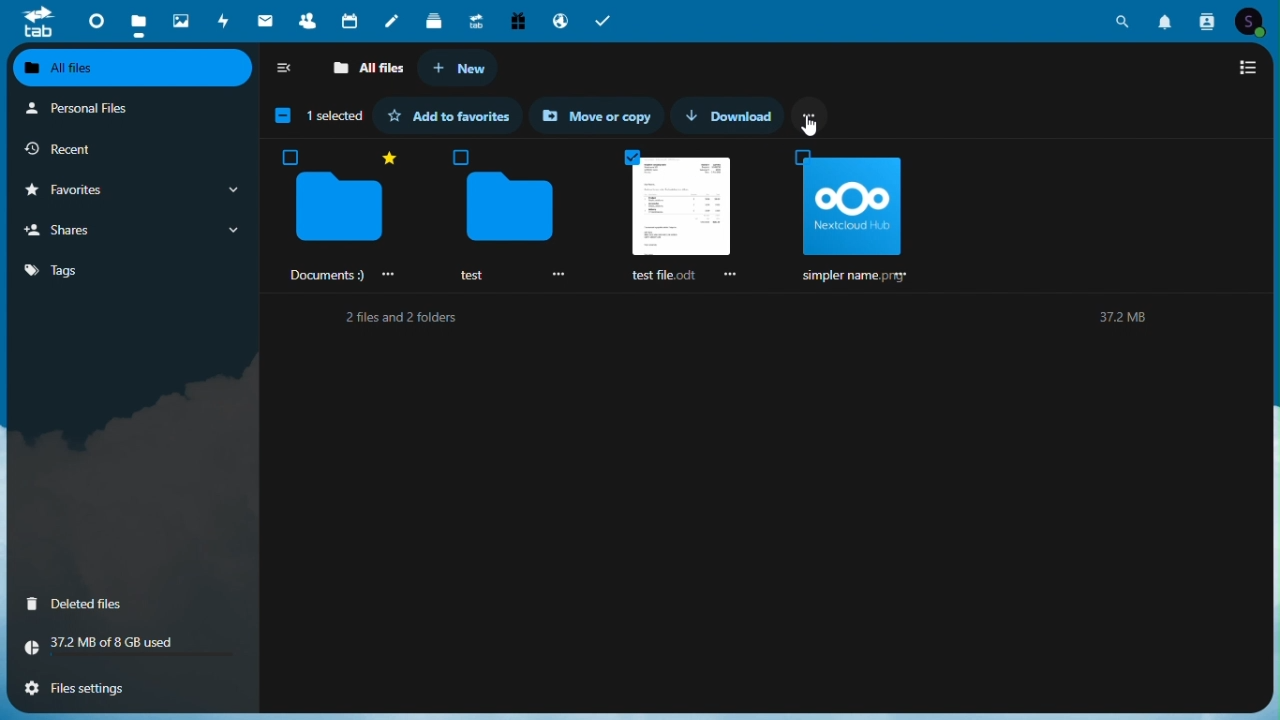 Image resolution: width=1280 pixels, height=720 pixels. Describe the element at coordinates (130, 192) in the screenshot. I see `Favourite` at that location.